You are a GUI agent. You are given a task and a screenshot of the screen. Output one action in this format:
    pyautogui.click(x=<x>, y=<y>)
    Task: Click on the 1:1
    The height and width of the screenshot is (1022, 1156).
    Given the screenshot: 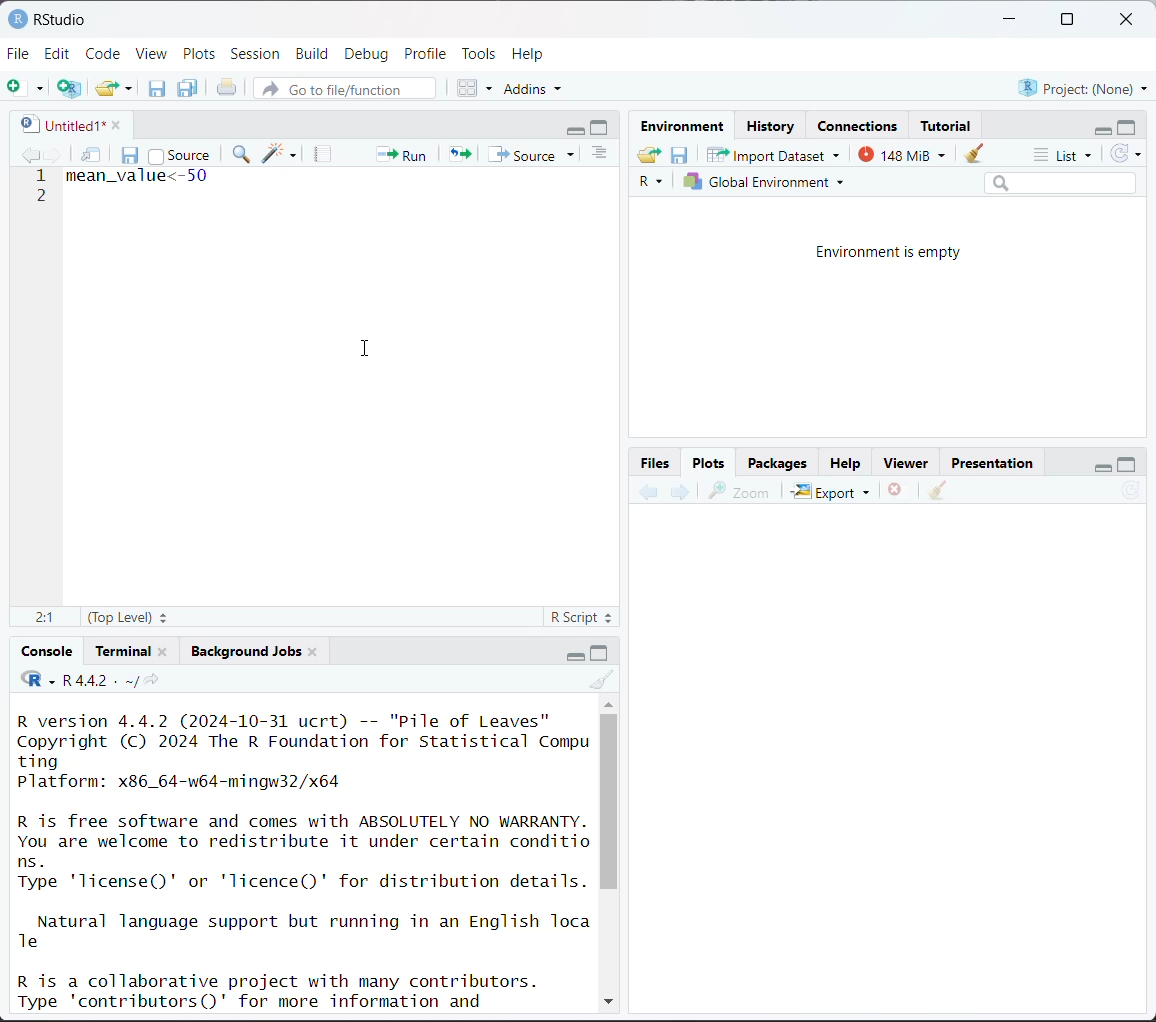 What is the action you would take?
    pyautogui.click(x=43, y=618)
    